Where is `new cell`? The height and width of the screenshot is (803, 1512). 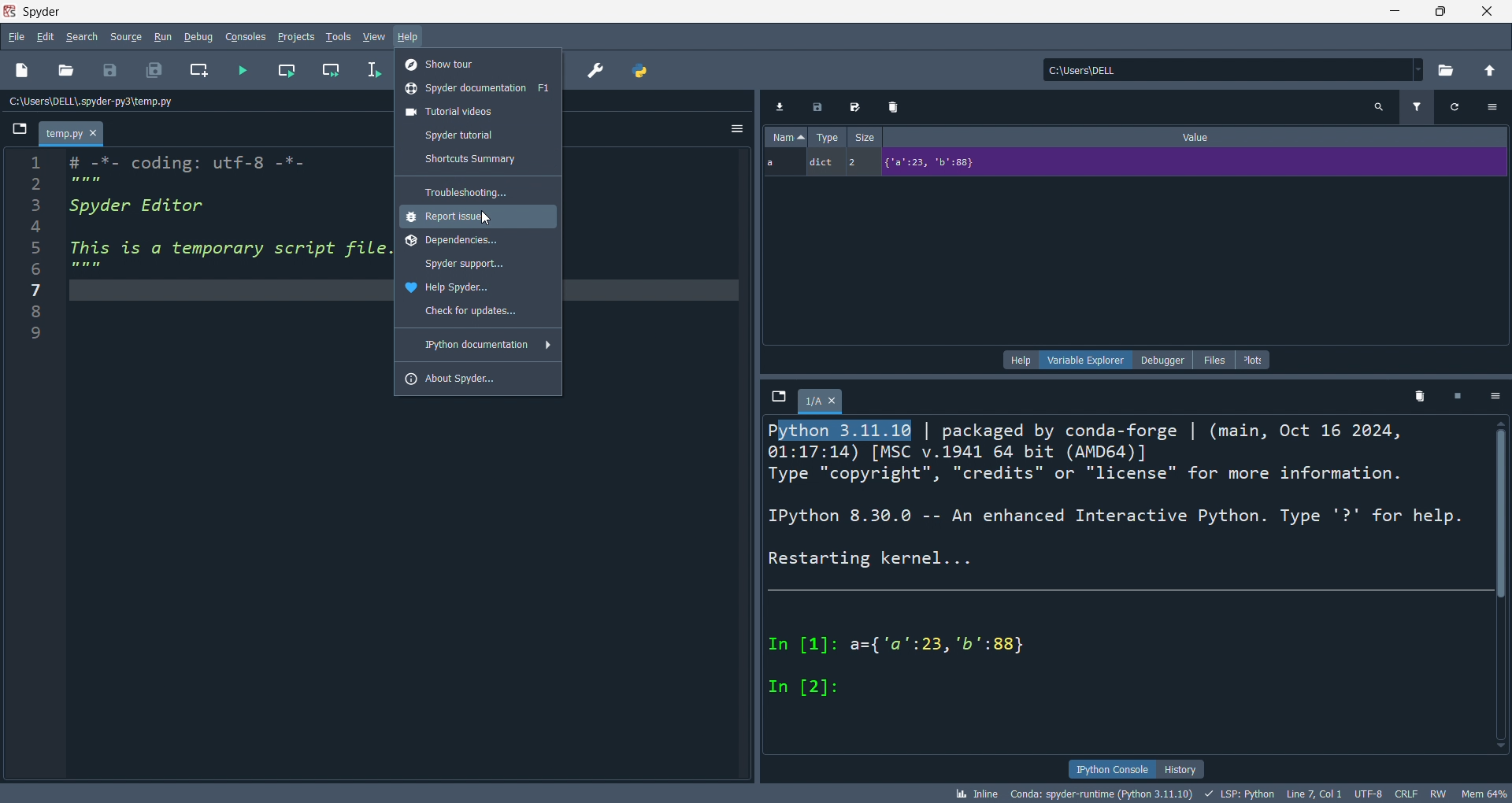
new cell is located at coordinates (202, 73).